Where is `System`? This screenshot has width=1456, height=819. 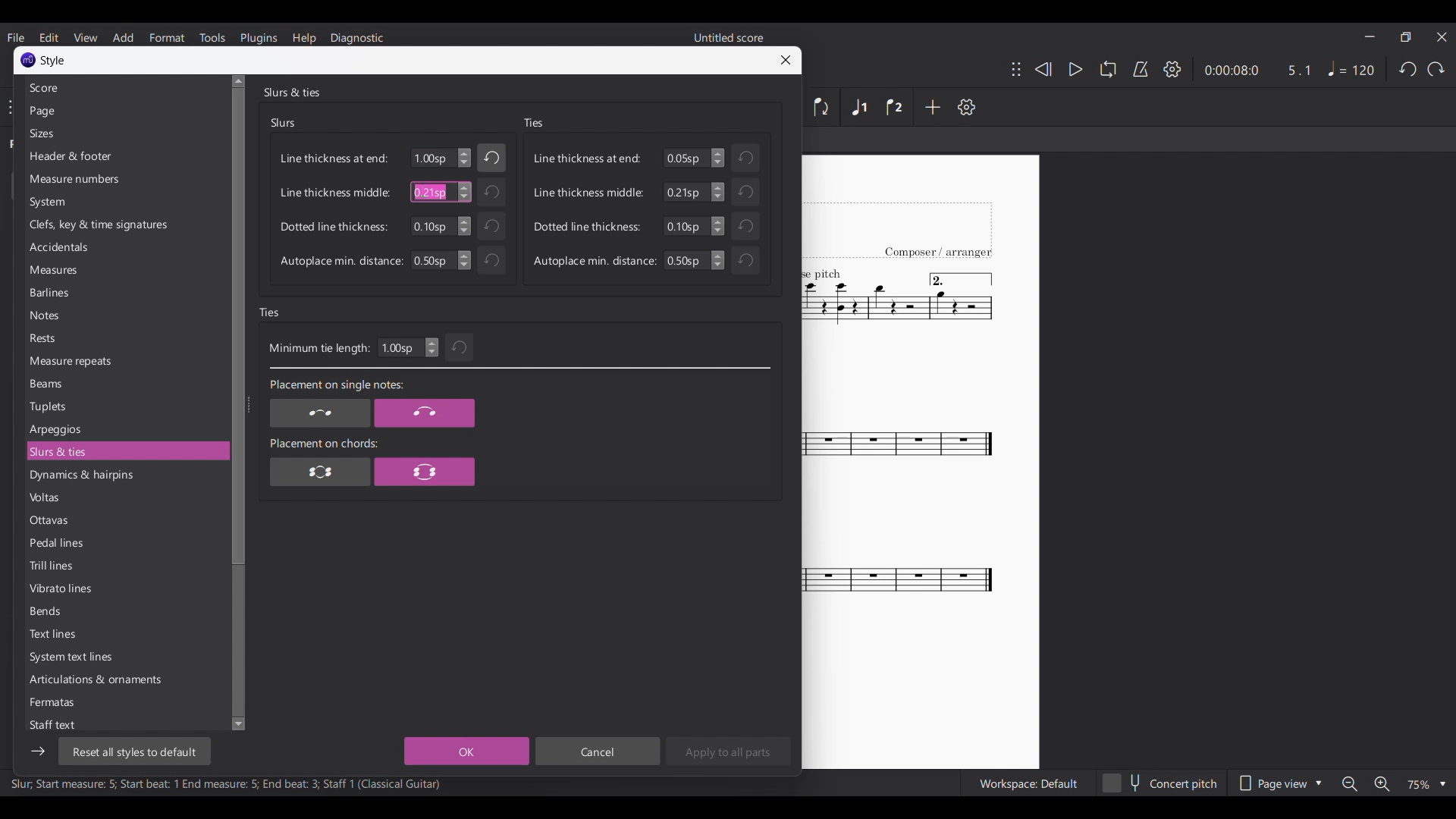 System is located at coordinates (124, 202).